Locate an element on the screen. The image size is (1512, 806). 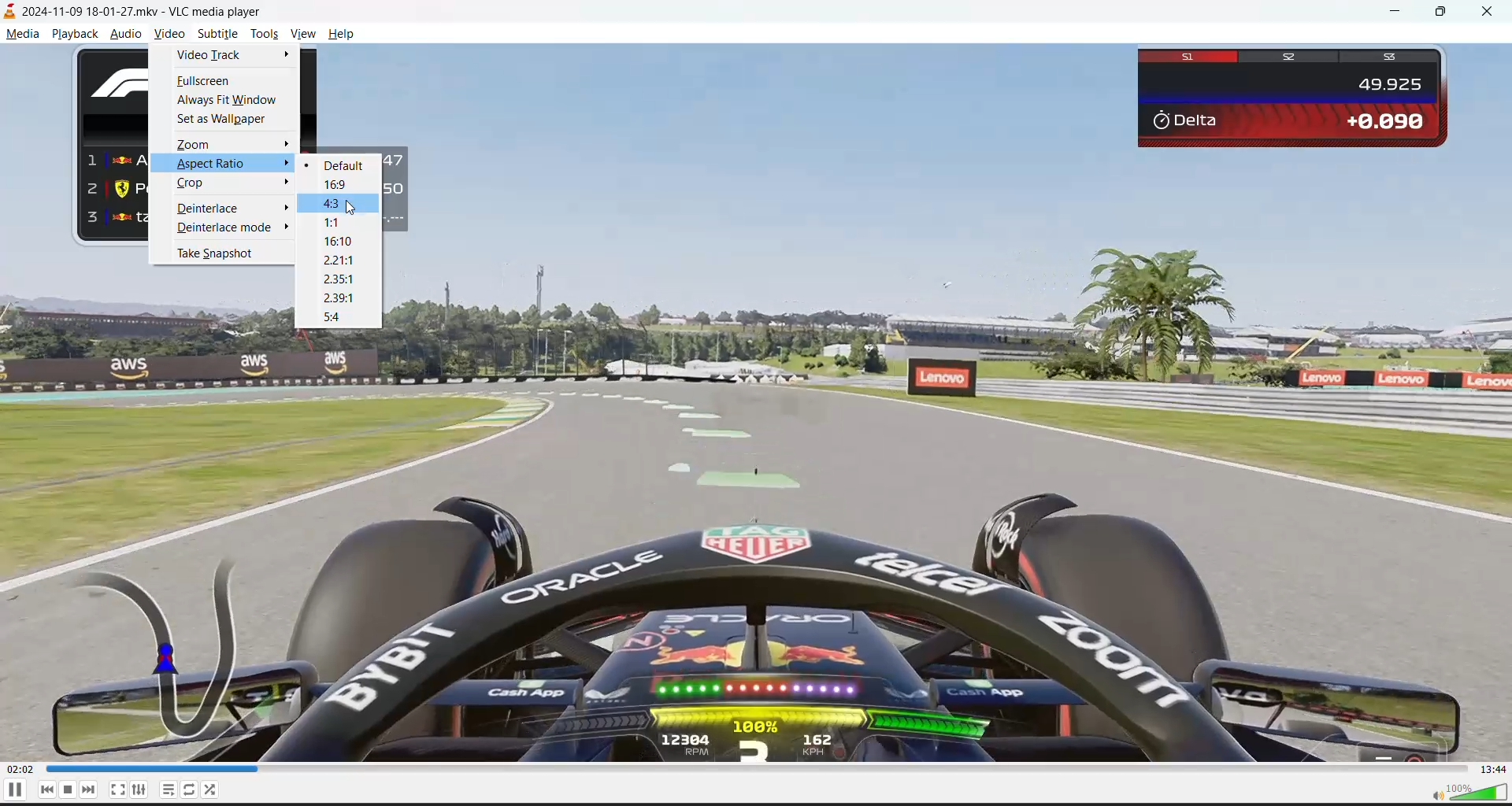
toggle loop is located at coordinates (190, 789).